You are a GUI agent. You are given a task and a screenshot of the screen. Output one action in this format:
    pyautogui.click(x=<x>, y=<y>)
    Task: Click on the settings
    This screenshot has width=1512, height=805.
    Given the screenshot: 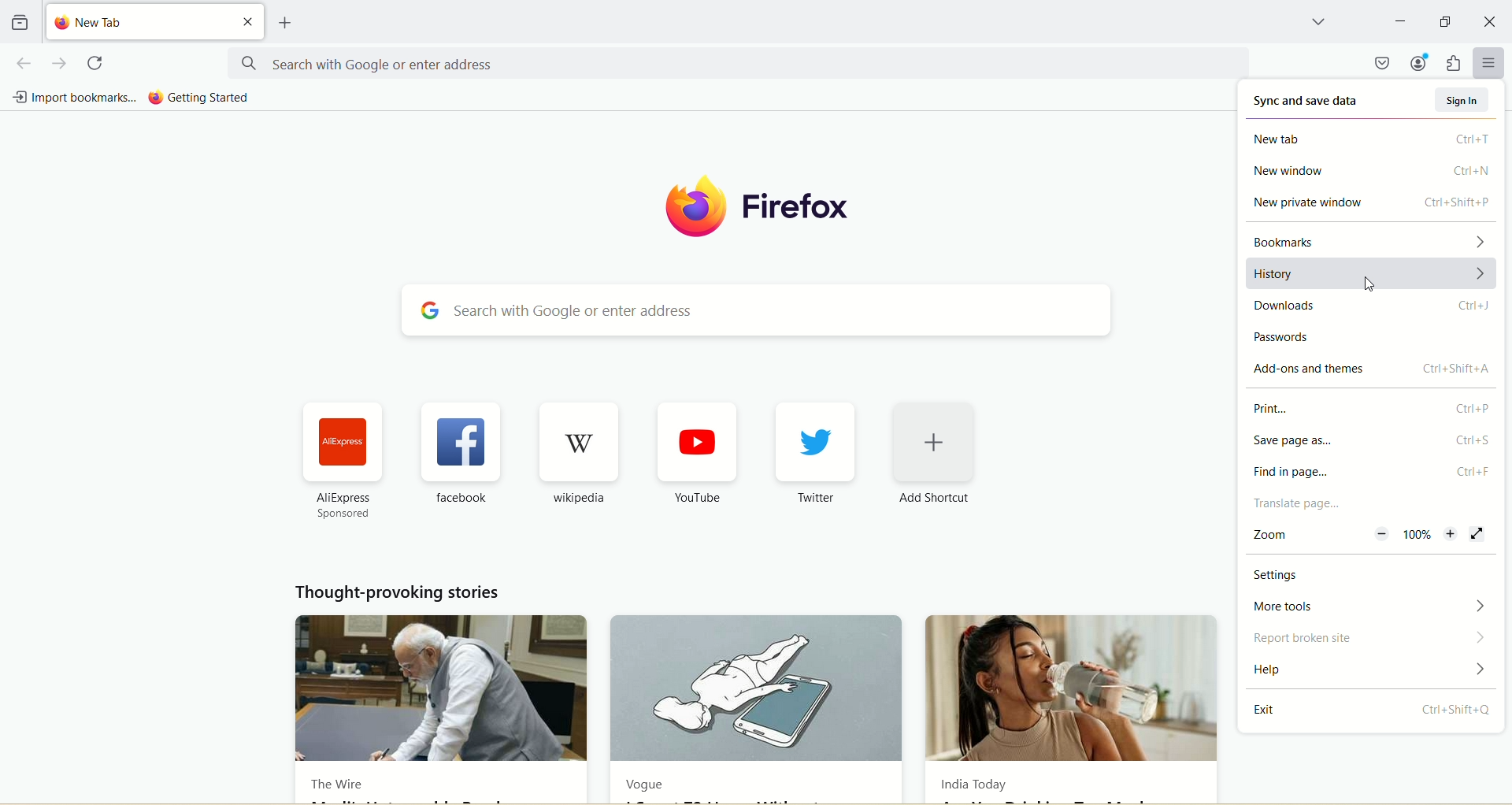 What is the action you would take?
    pyautogui.click(x=1372, y=573)
    